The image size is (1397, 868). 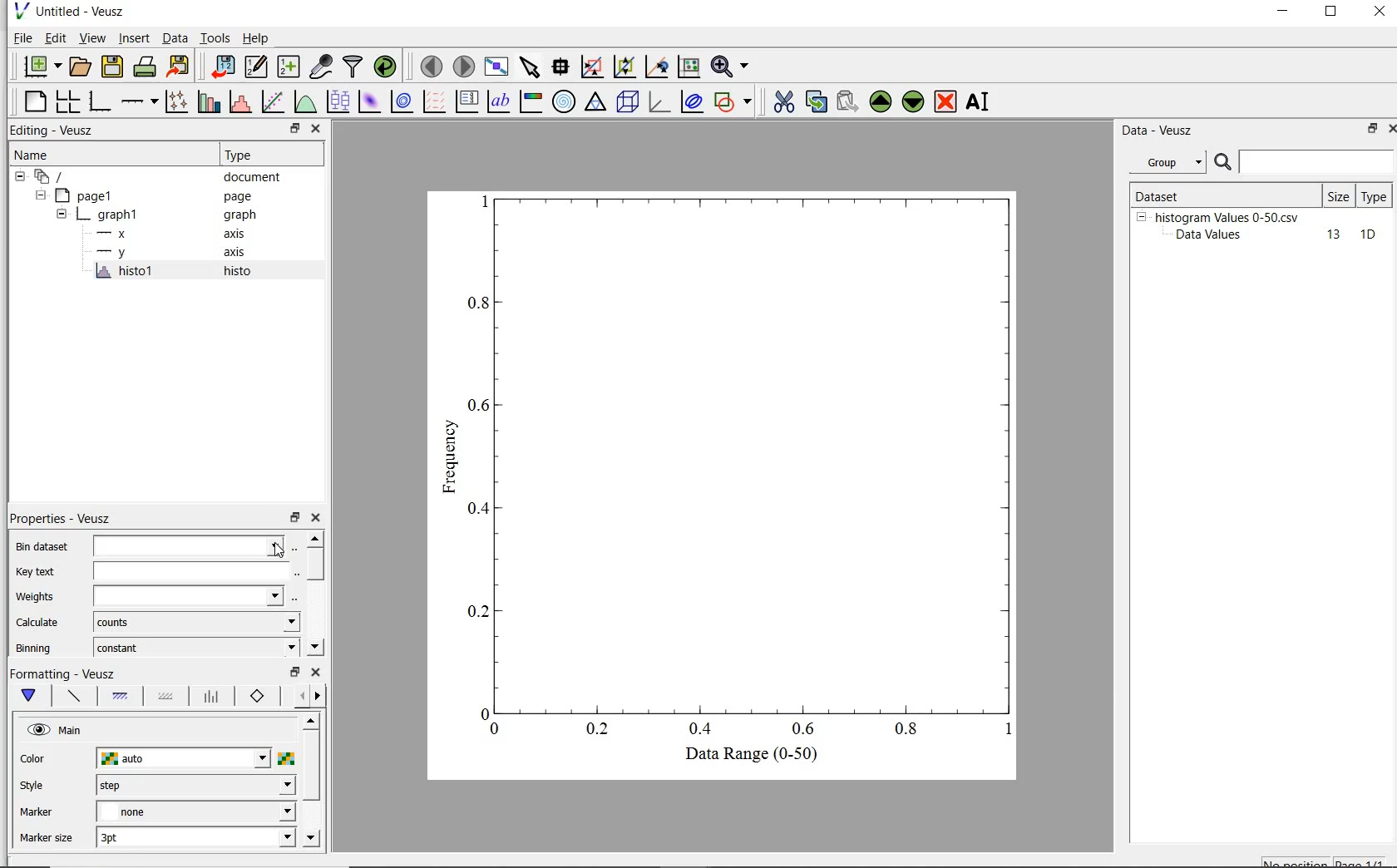 I want to click on plot a function, so click(x=304, y=101).